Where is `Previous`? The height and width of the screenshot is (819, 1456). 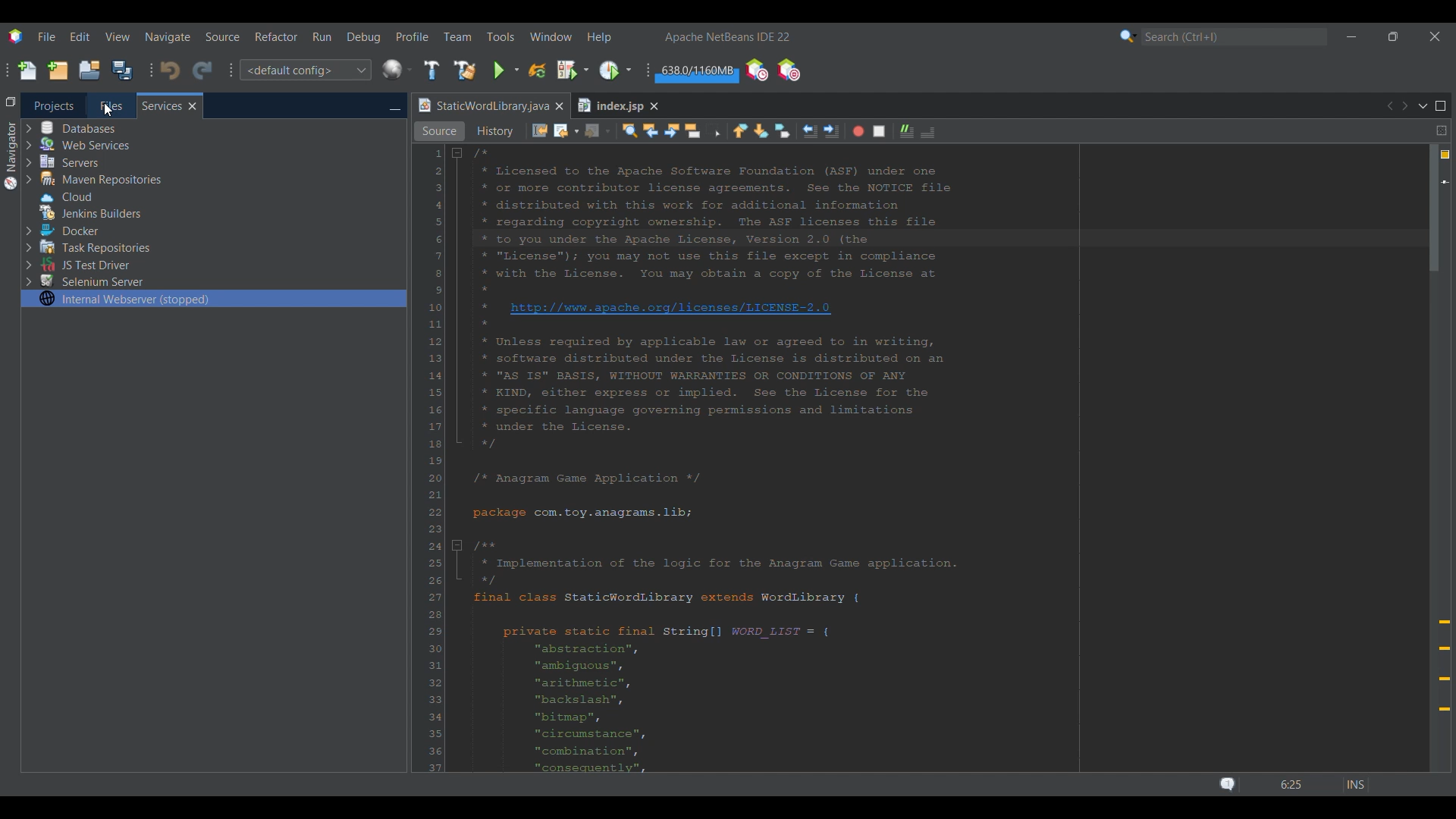 Previous is located at coordinates (1389, 106).